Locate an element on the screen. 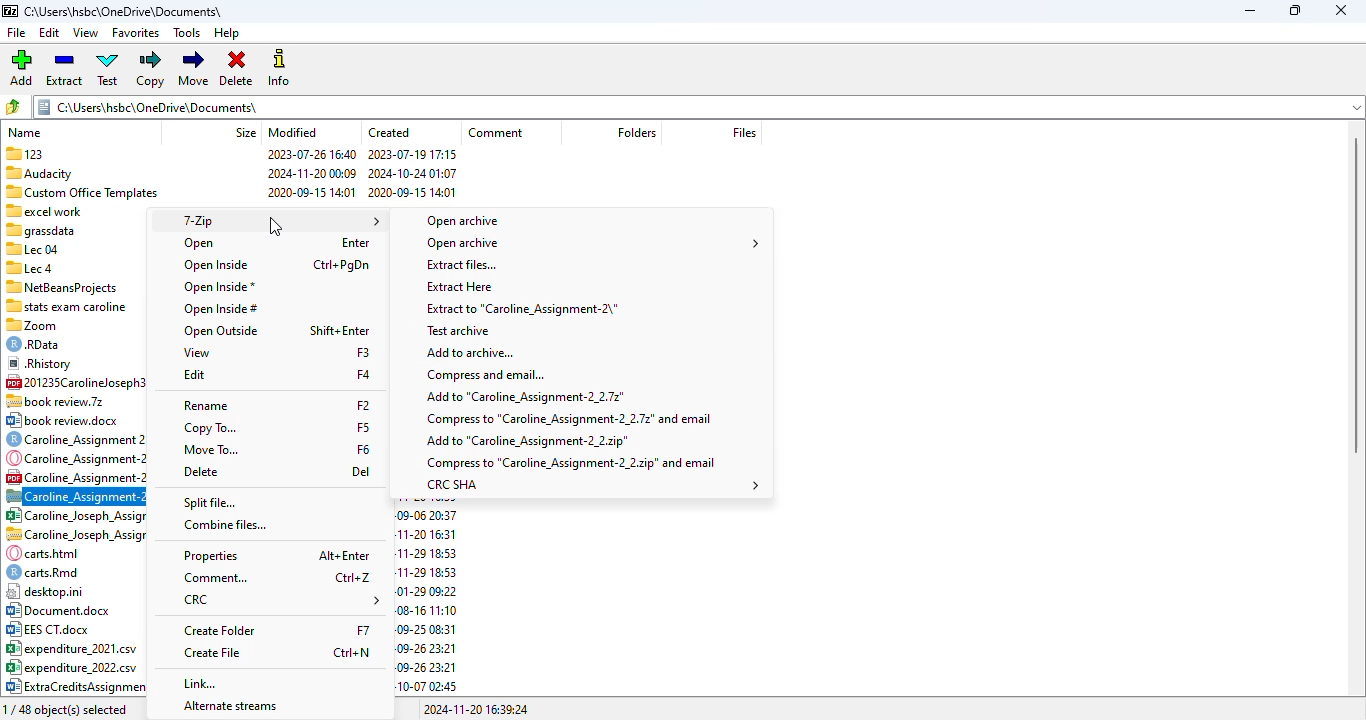  shortcut for comment is located at coordinates (354, 577).